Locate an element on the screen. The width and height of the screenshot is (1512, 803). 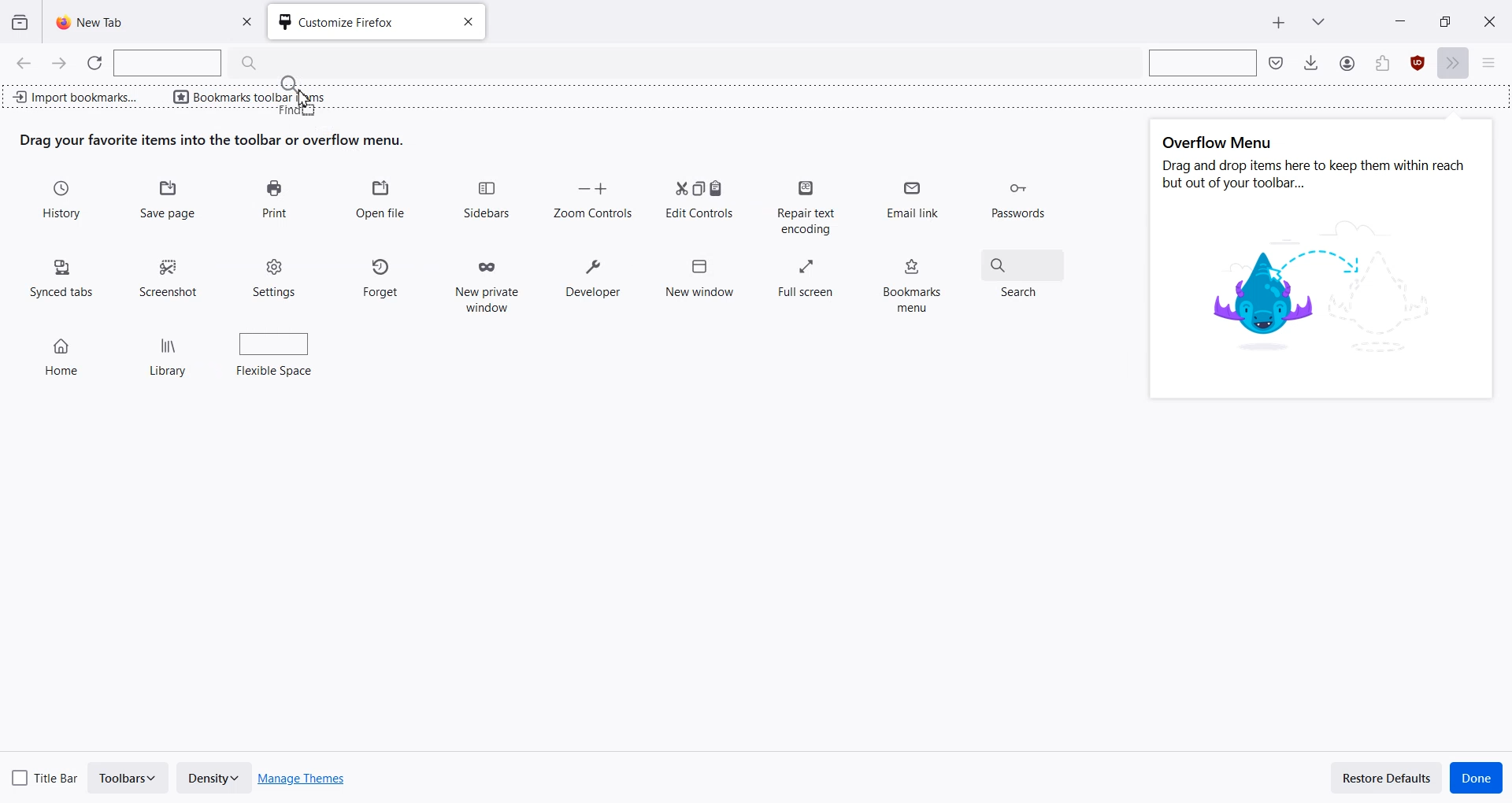
Bookmarks toolbar items is located at coordinates (239, 95).